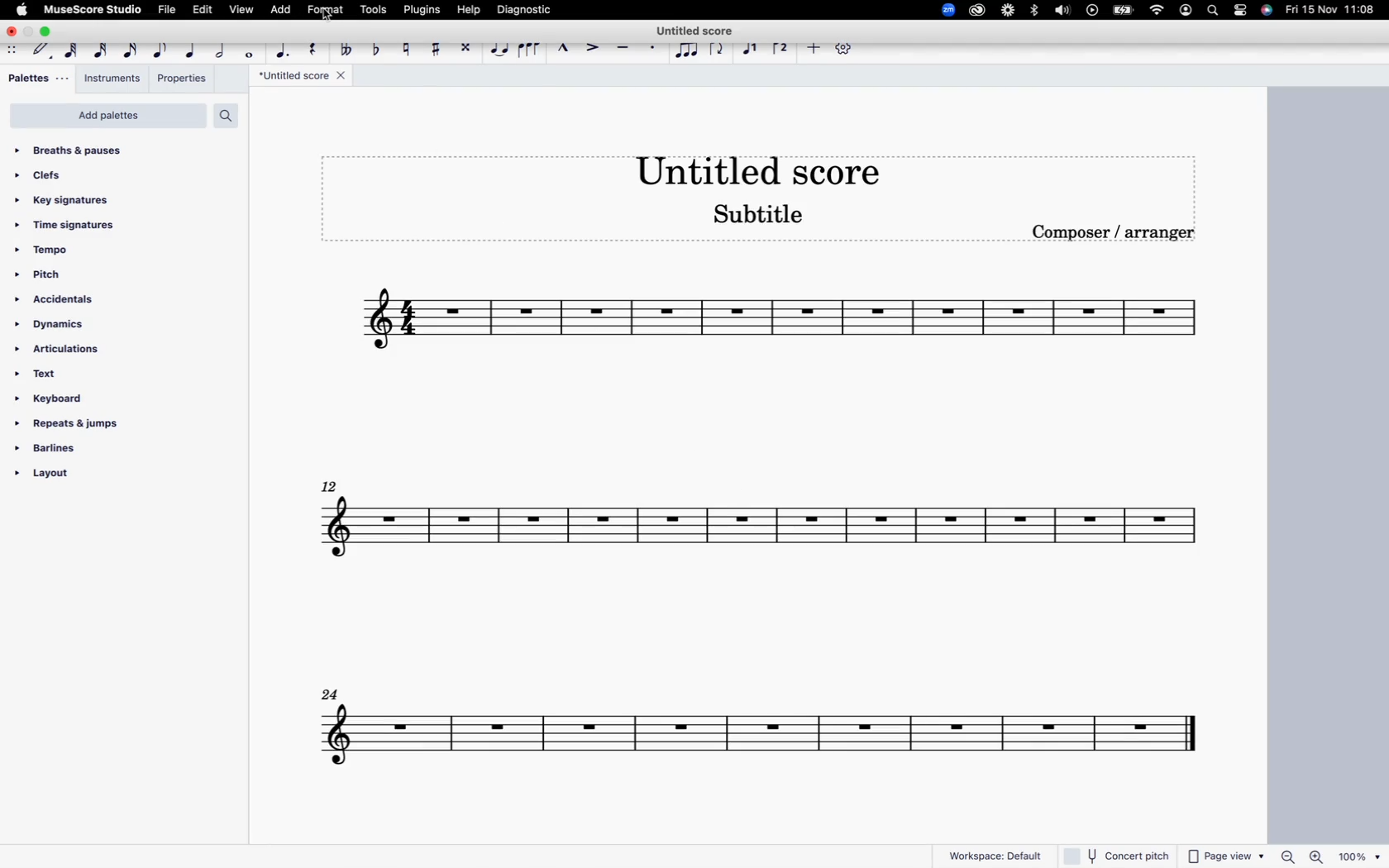 Image resolution: width=1389 pixels, height=868 pixels. Describe the element at coordinates (948, 12) in the screenshot. I see `zoom` at that location.